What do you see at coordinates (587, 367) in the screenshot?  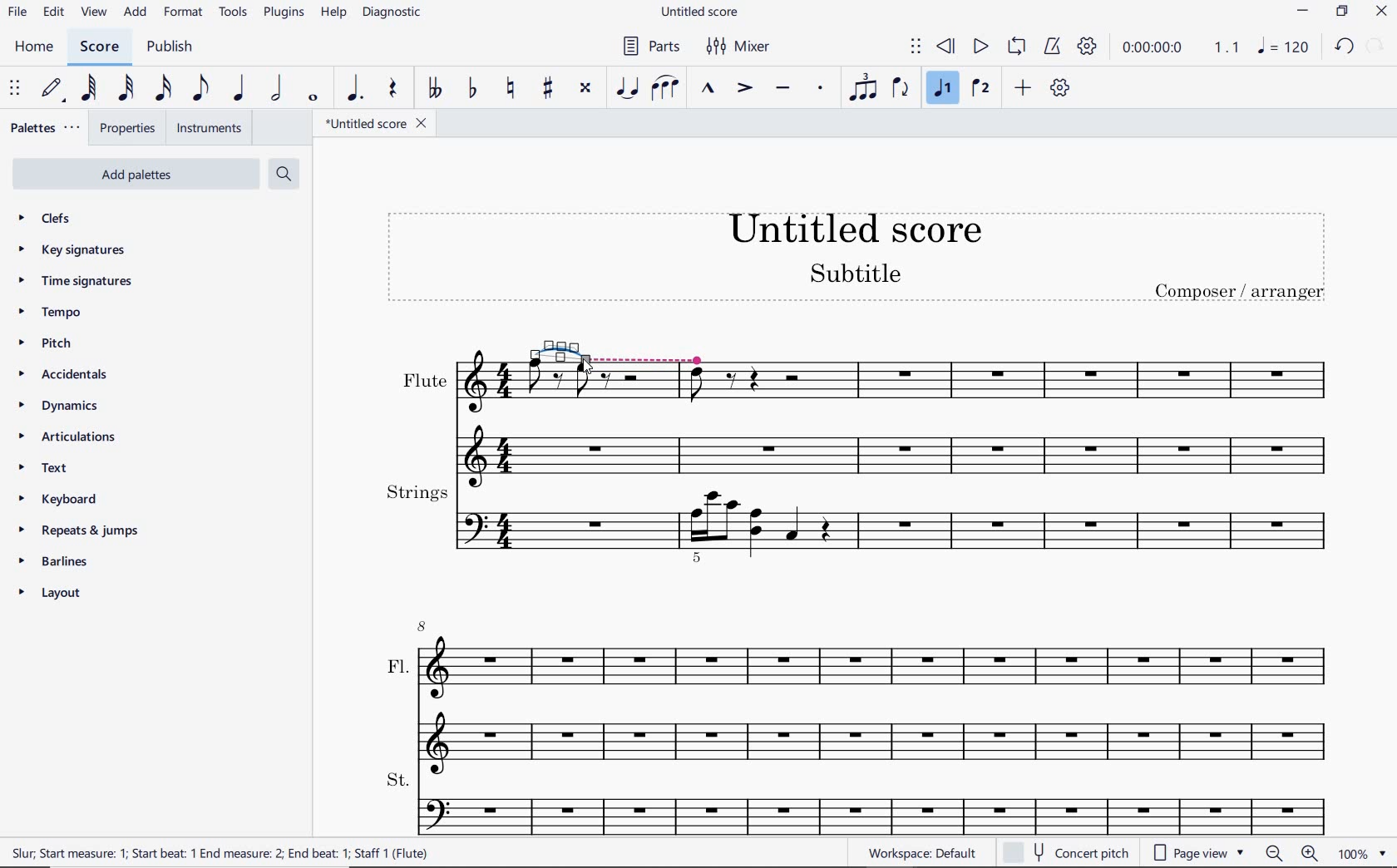 I see `cursor` at bounding box center [587, 367].